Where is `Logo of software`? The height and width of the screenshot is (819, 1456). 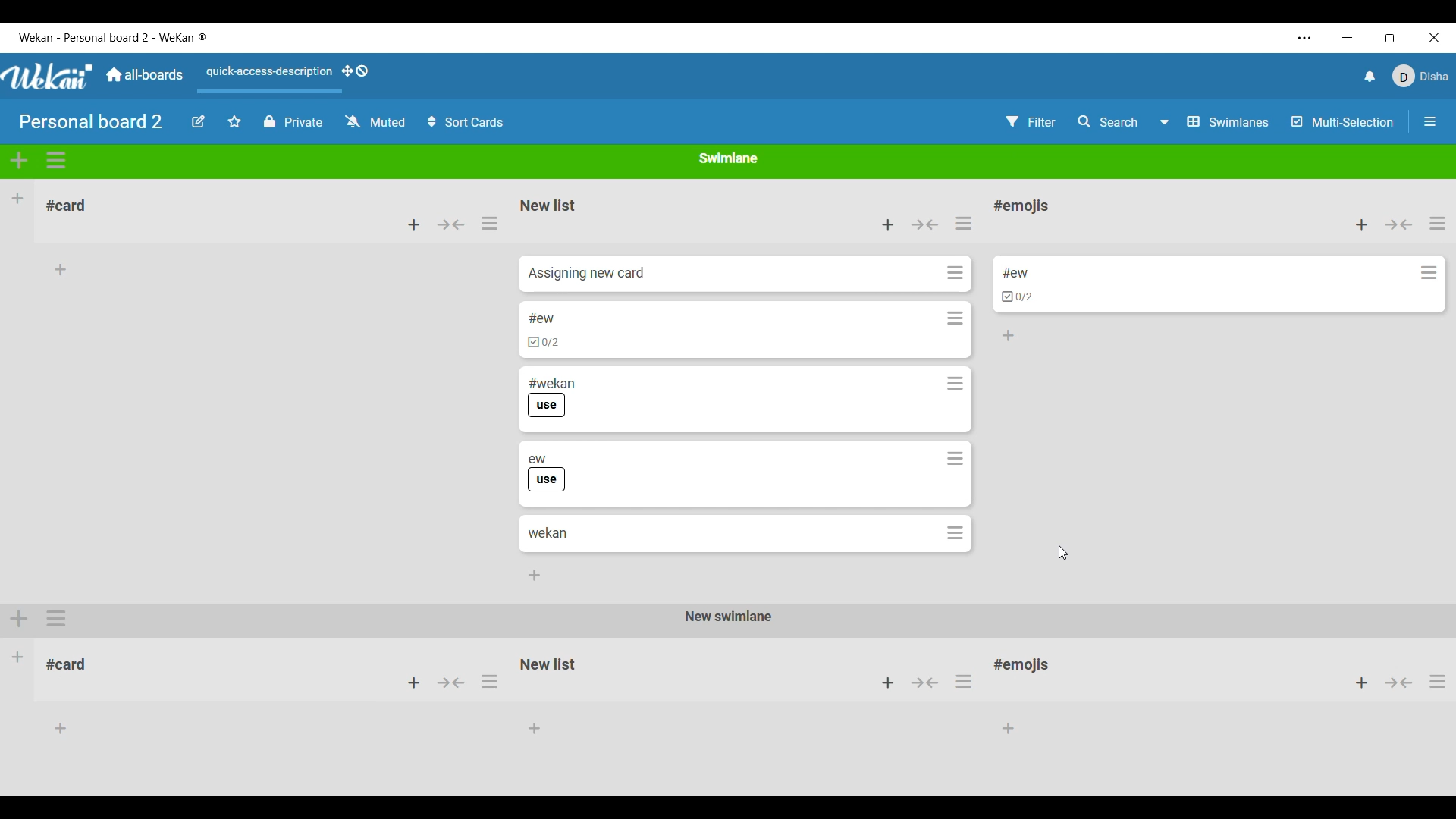 Logo of software is located at coordinates (48, 77).